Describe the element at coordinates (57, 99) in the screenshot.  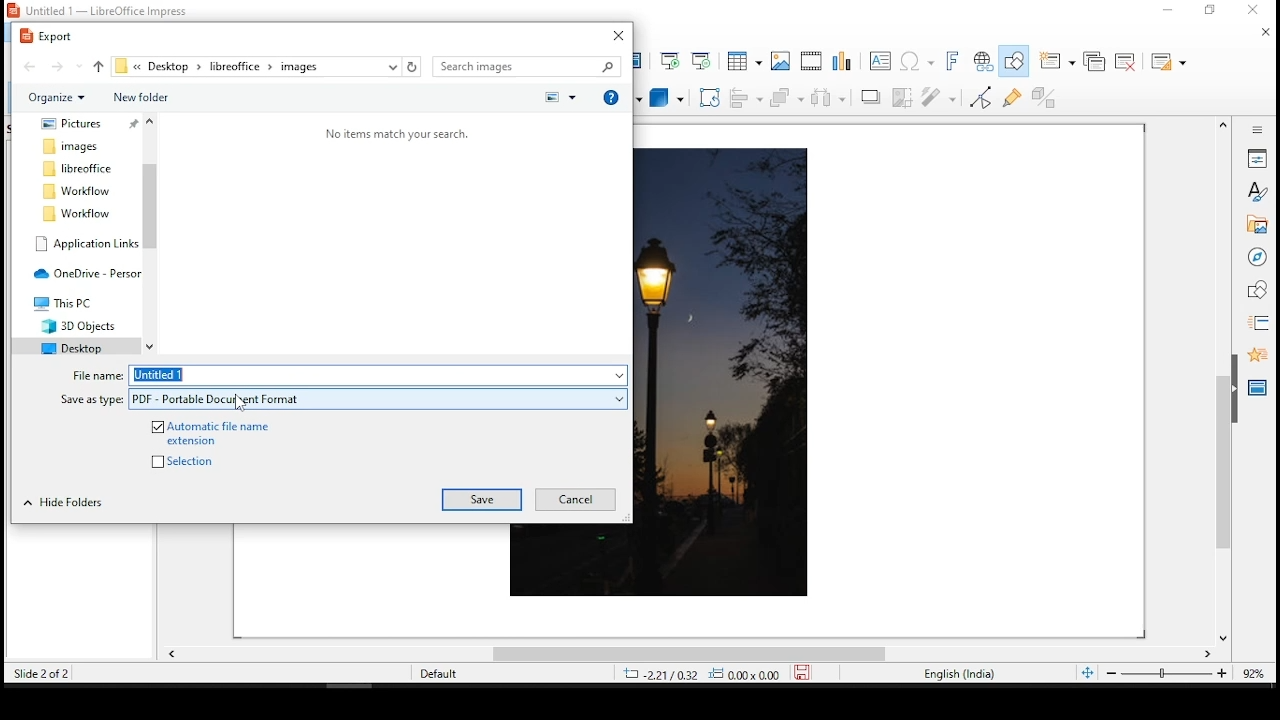
I see `organize` at that location.